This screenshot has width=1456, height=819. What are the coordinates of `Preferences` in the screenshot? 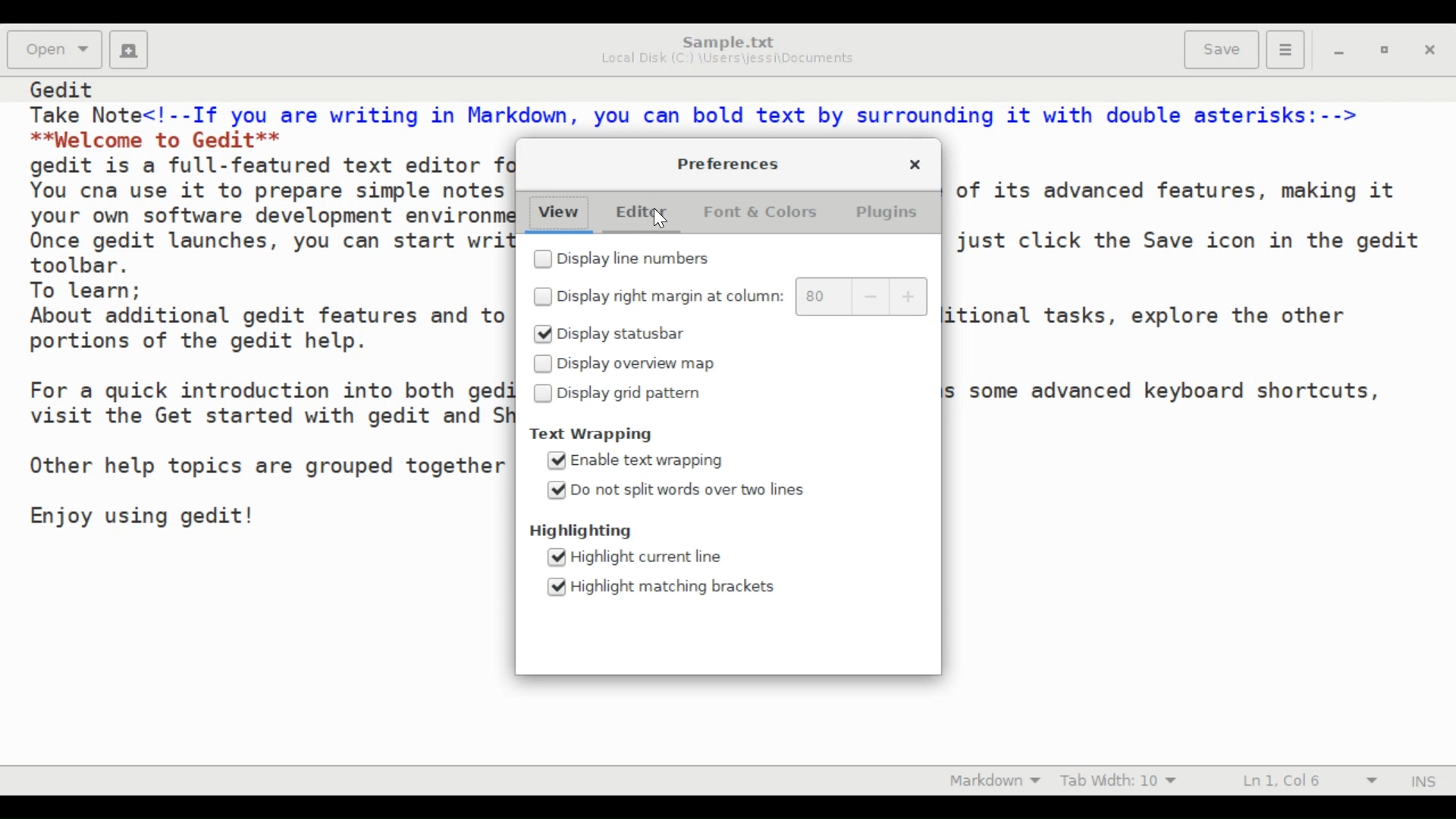 It's located at (725, 165).